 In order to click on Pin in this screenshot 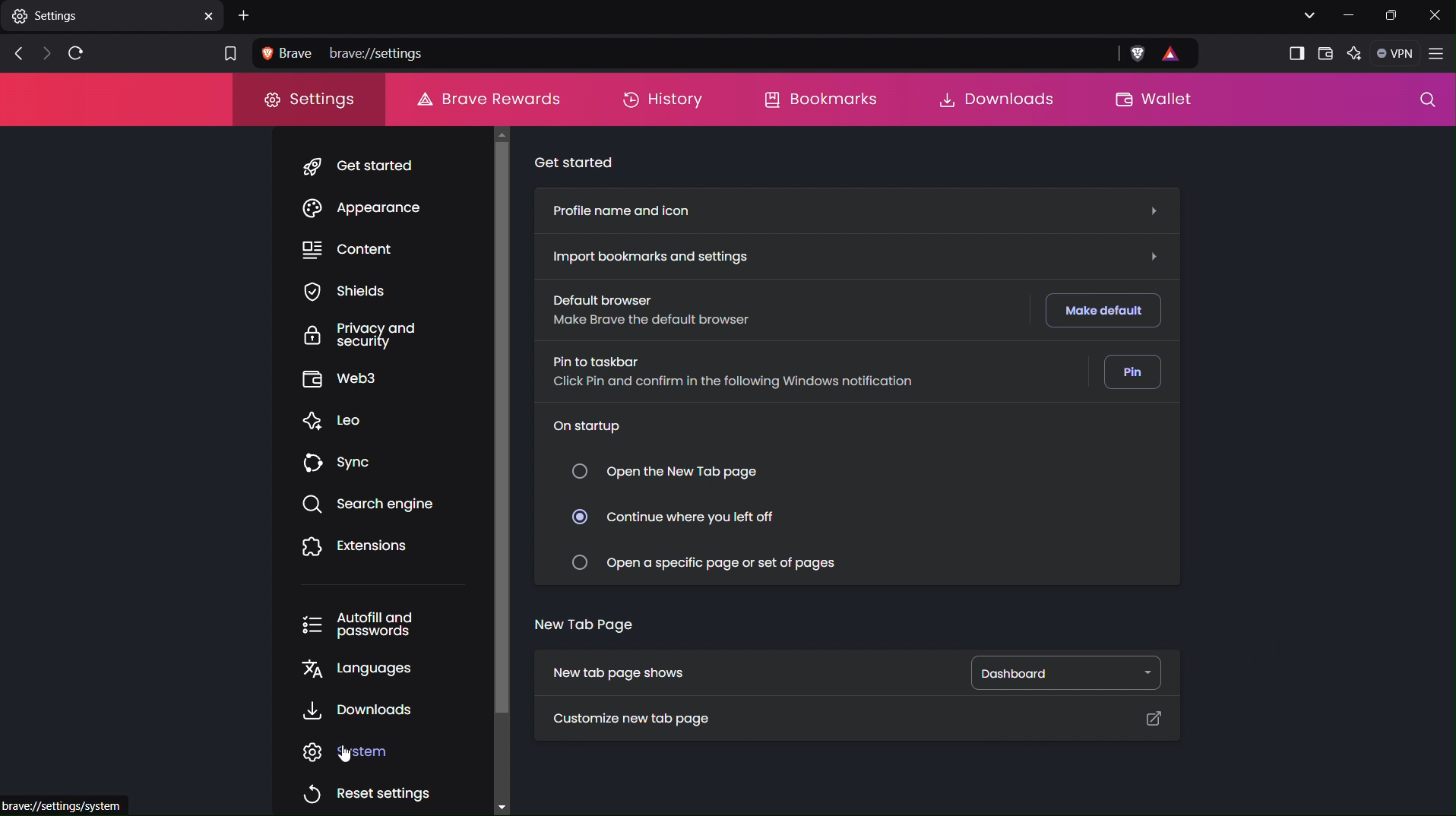, I will do `click(1126, 371)`.